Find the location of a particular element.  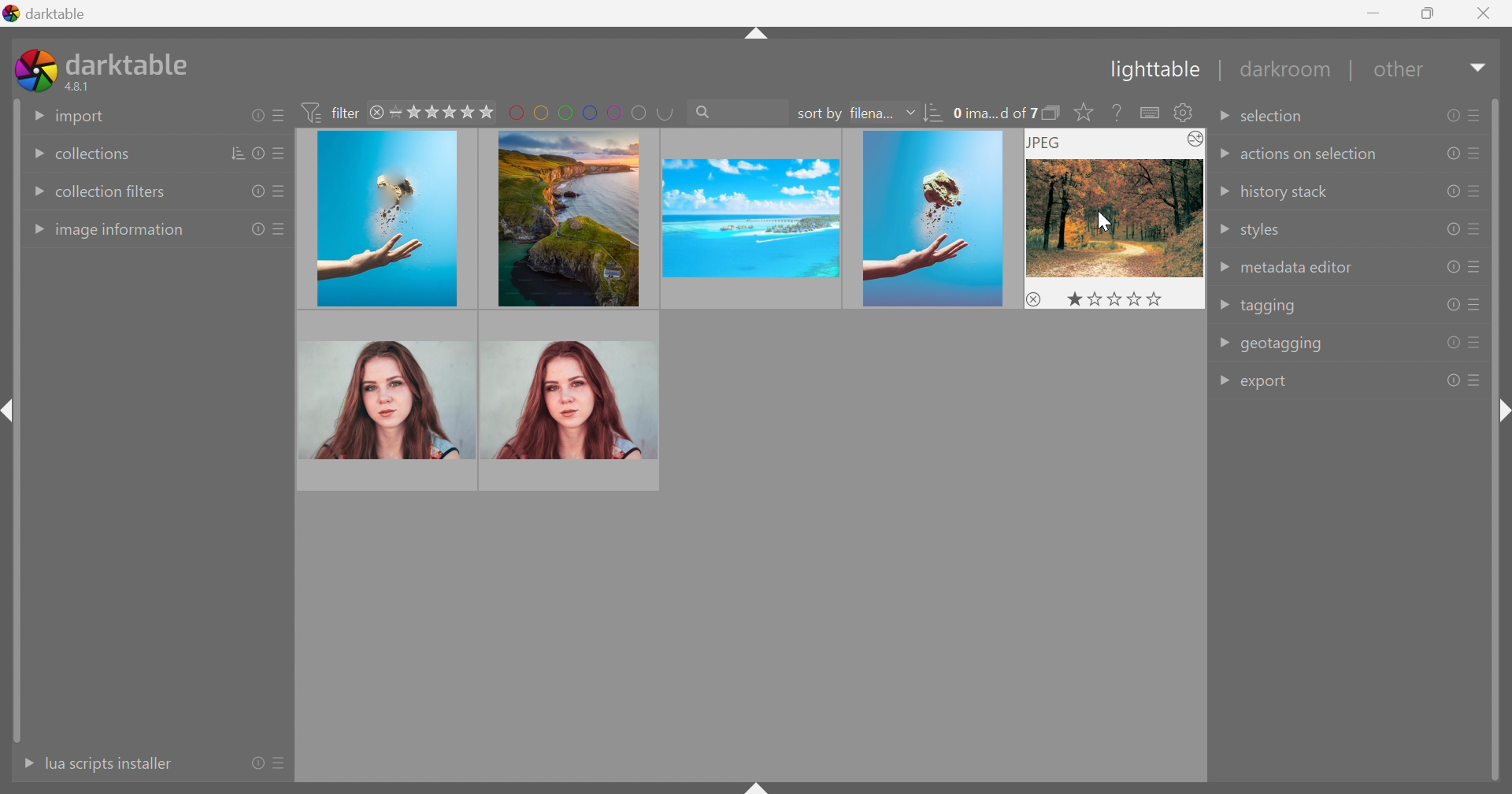

Drop Down is located at coordinates (910, 112).